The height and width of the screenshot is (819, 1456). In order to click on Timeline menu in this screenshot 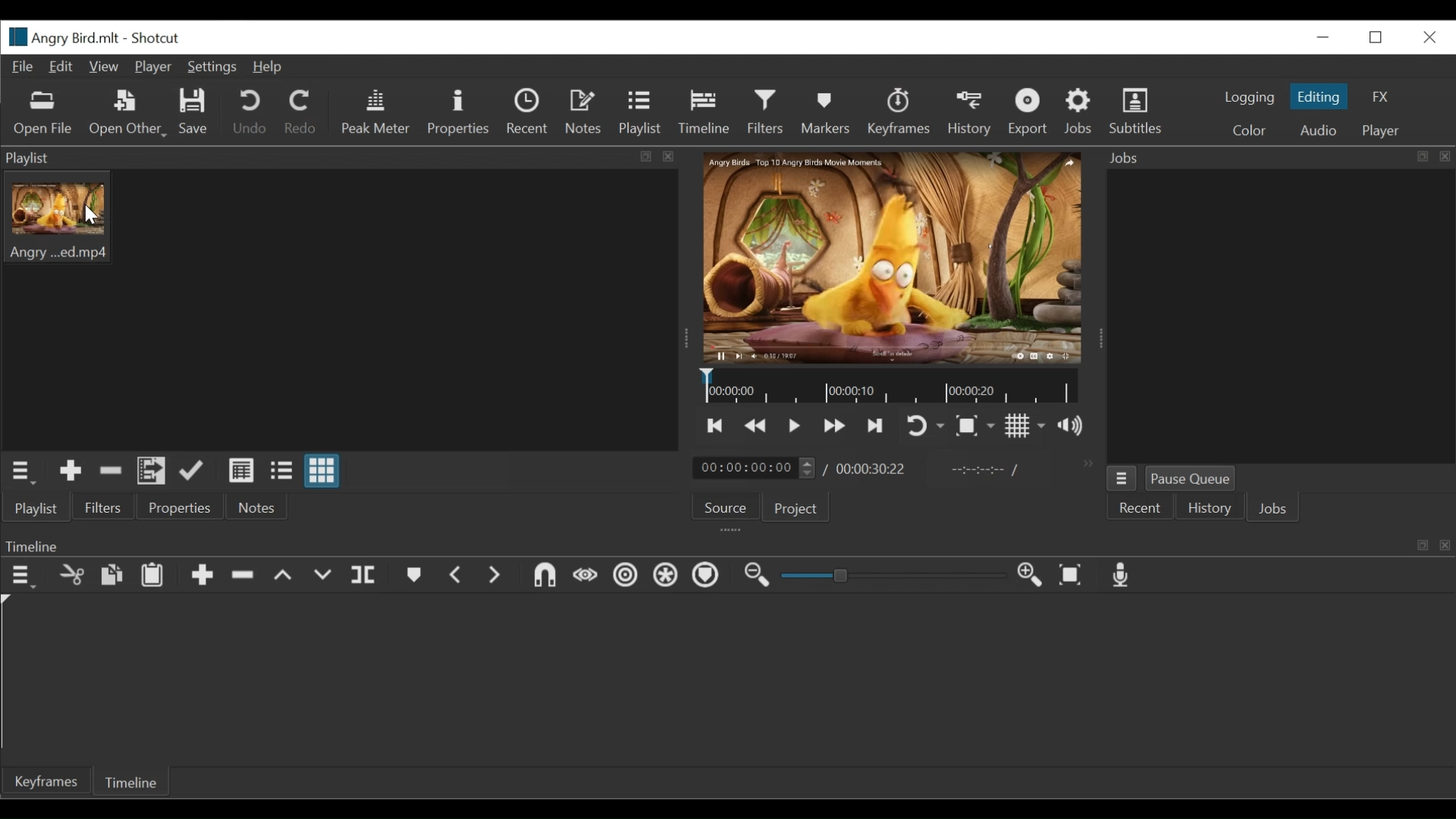, I will do `click(21, 577)`.